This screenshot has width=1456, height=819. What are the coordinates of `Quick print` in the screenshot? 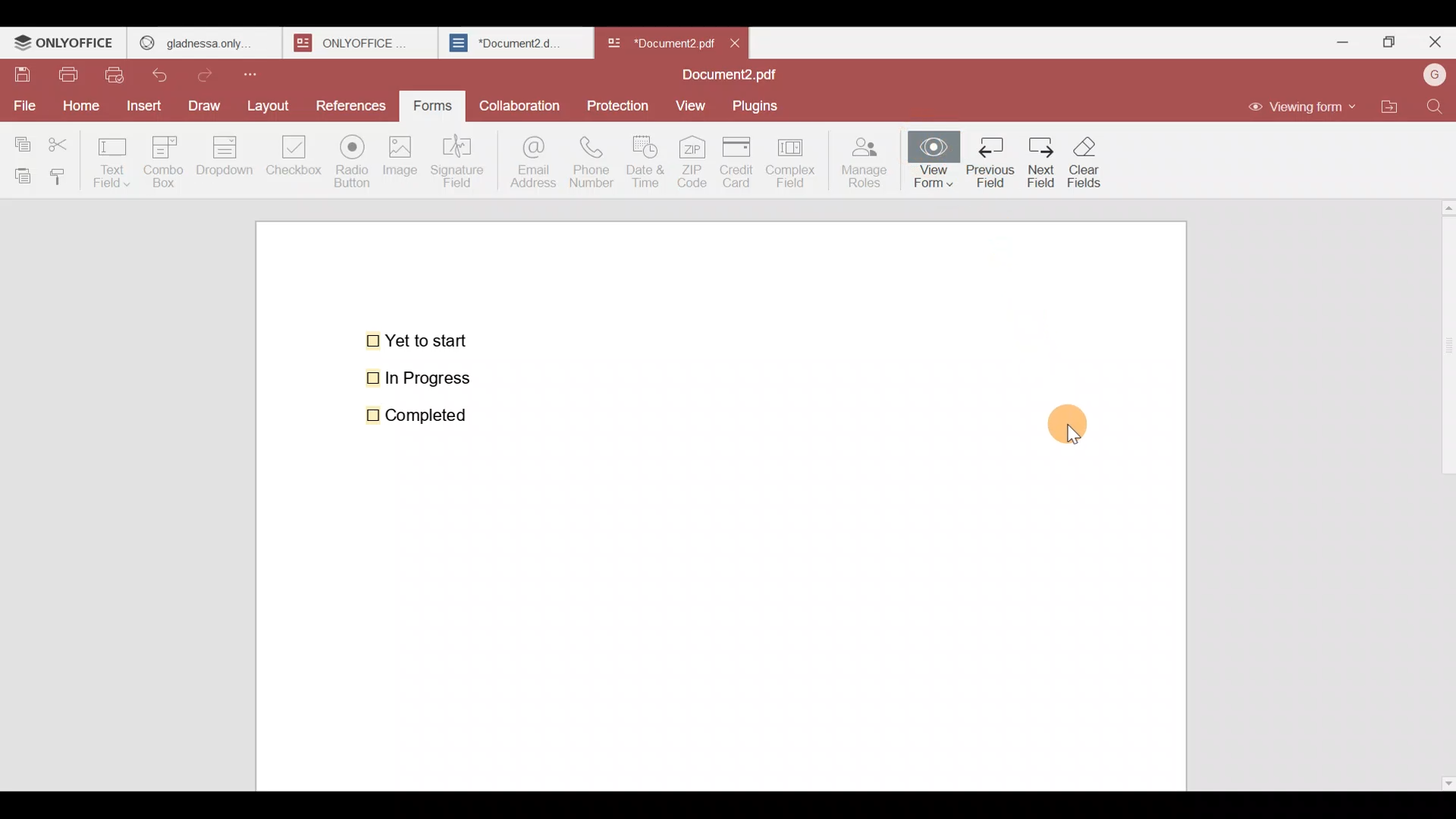 It's located at (119, 74).